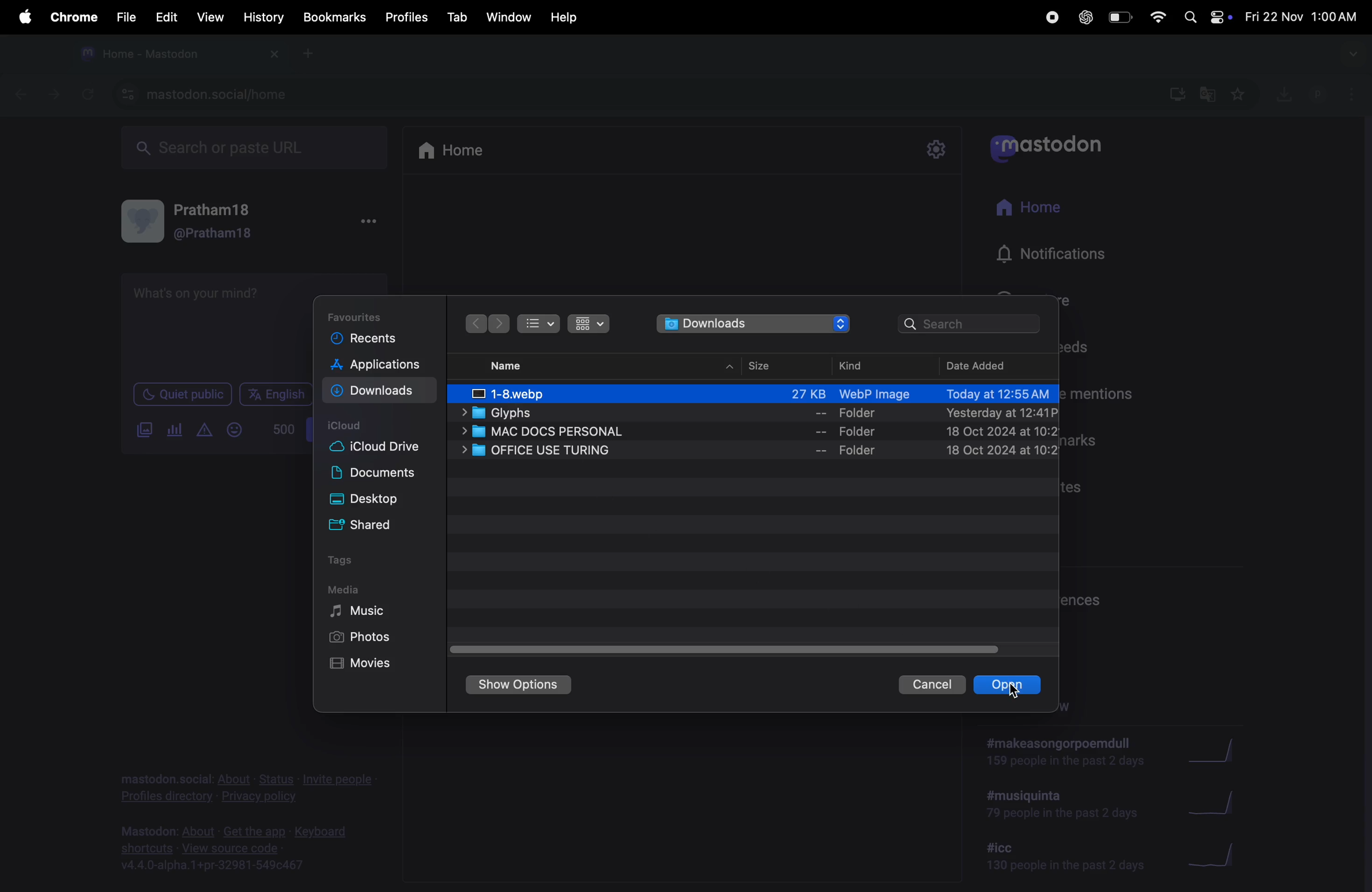  I want to click on file, so click(122, 18).